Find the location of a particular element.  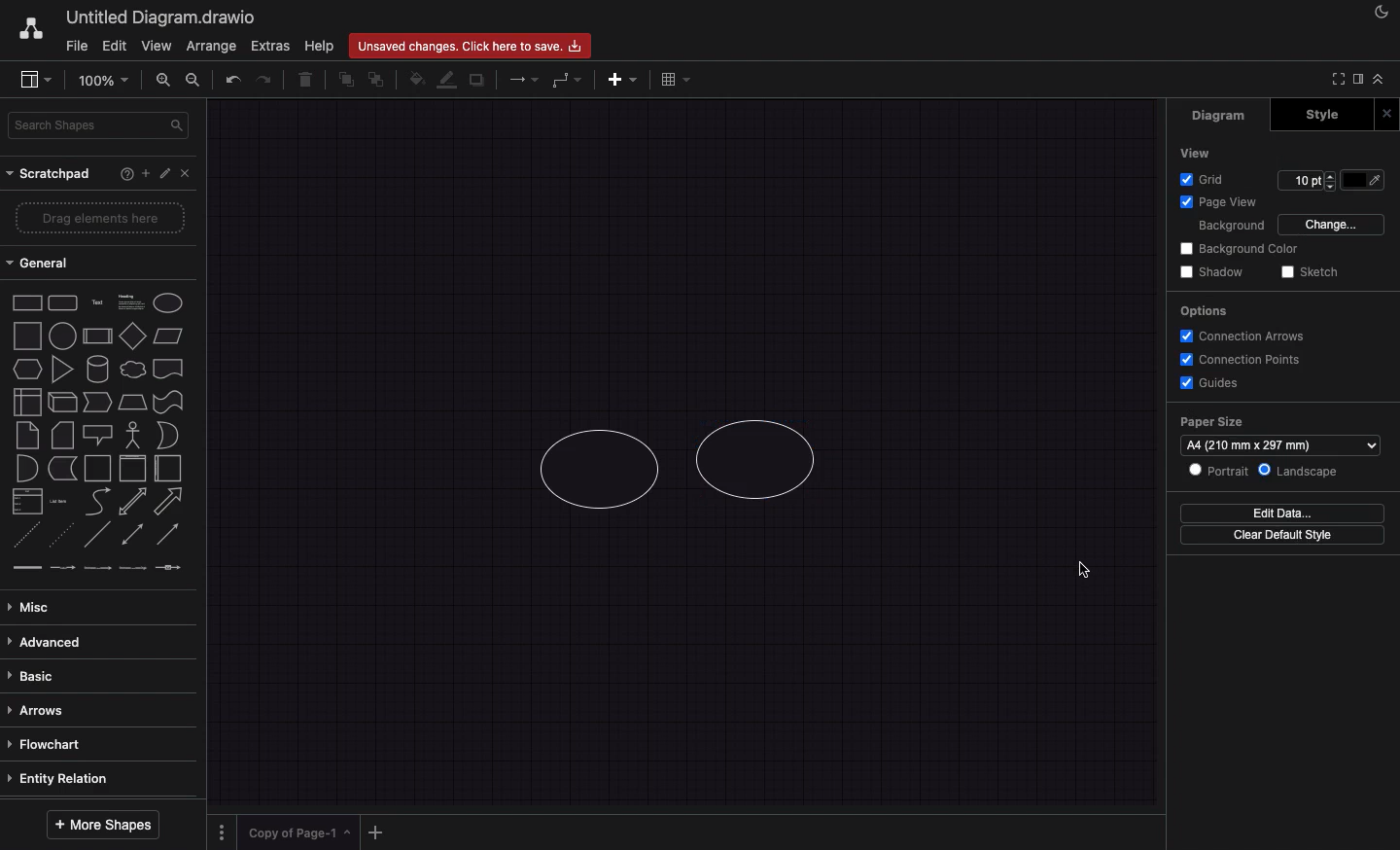

format is located at coordinates (1358, 81).